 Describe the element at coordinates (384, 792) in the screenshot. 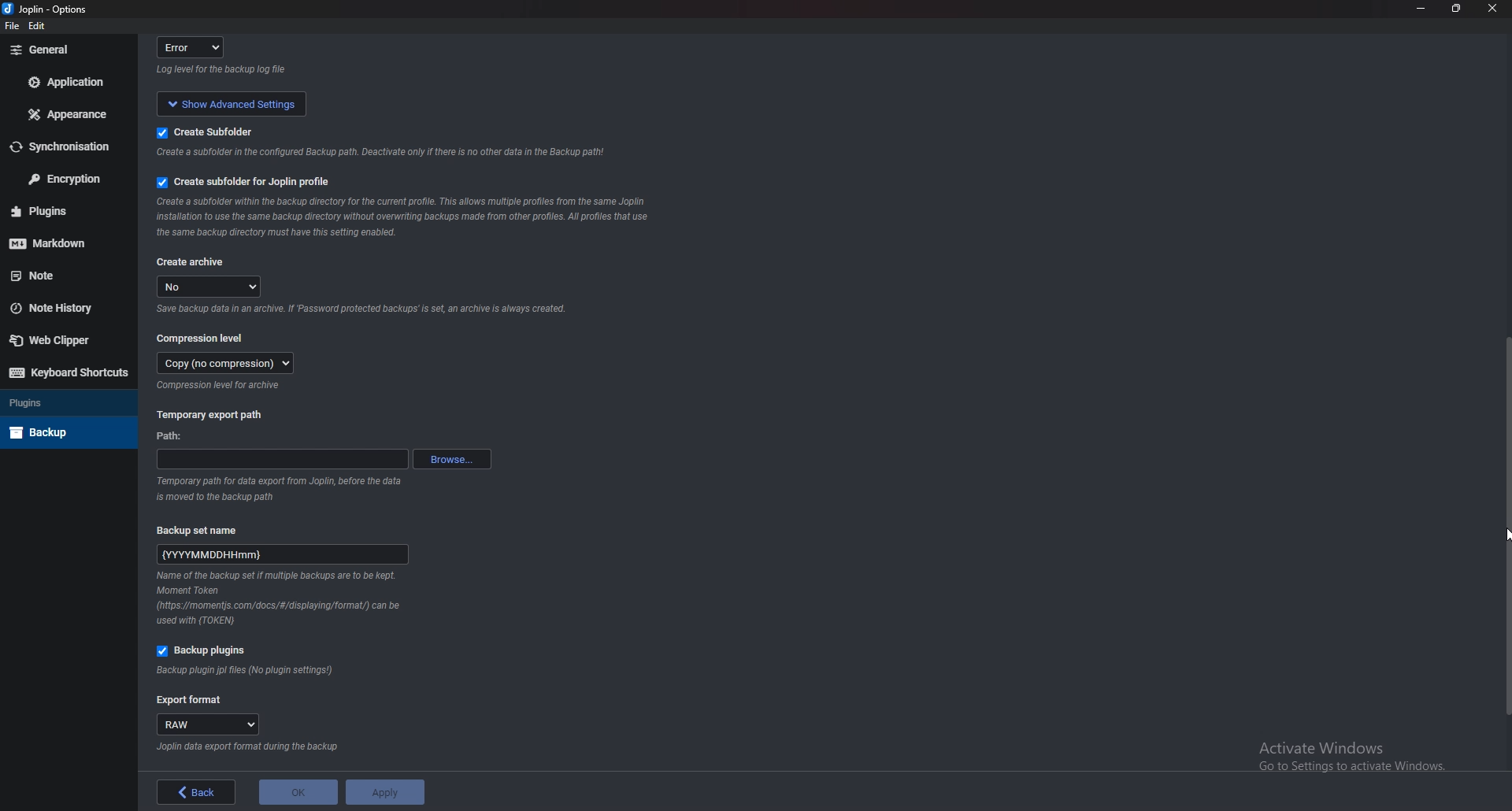

I see `apply` at that location.